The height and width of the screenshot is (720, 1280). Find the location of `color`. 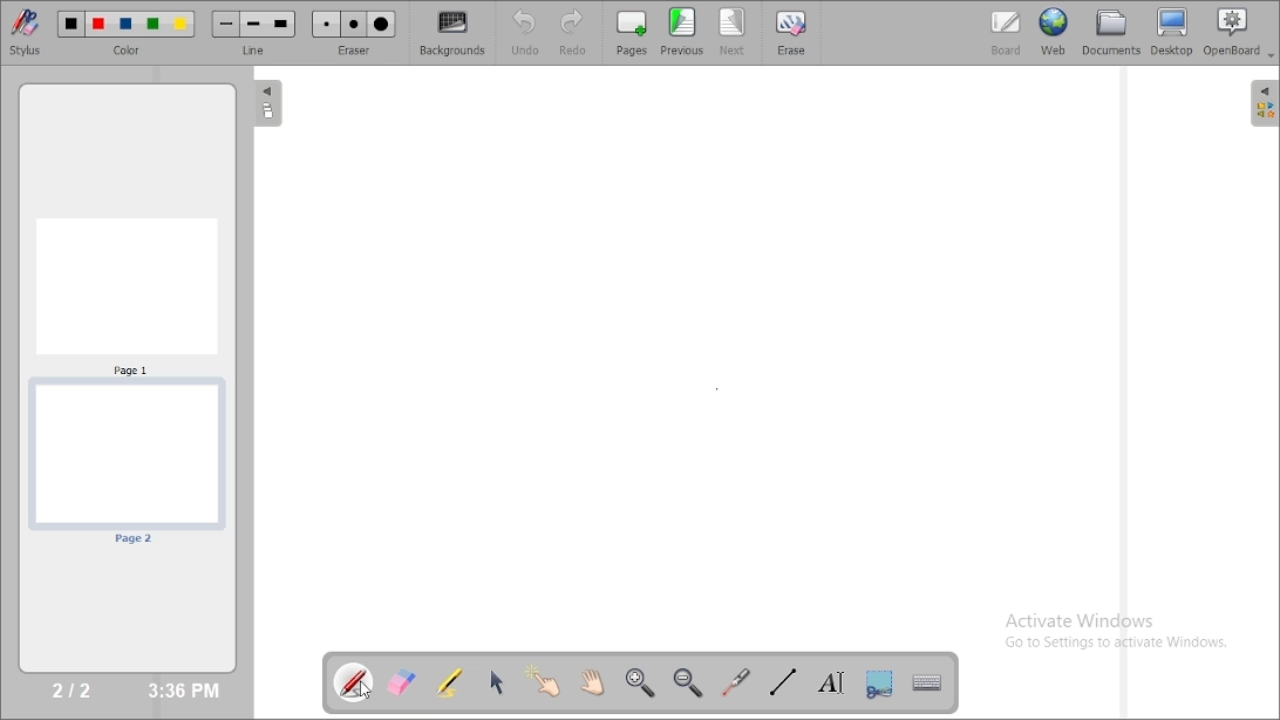

color is located at coordinates (130, 51).